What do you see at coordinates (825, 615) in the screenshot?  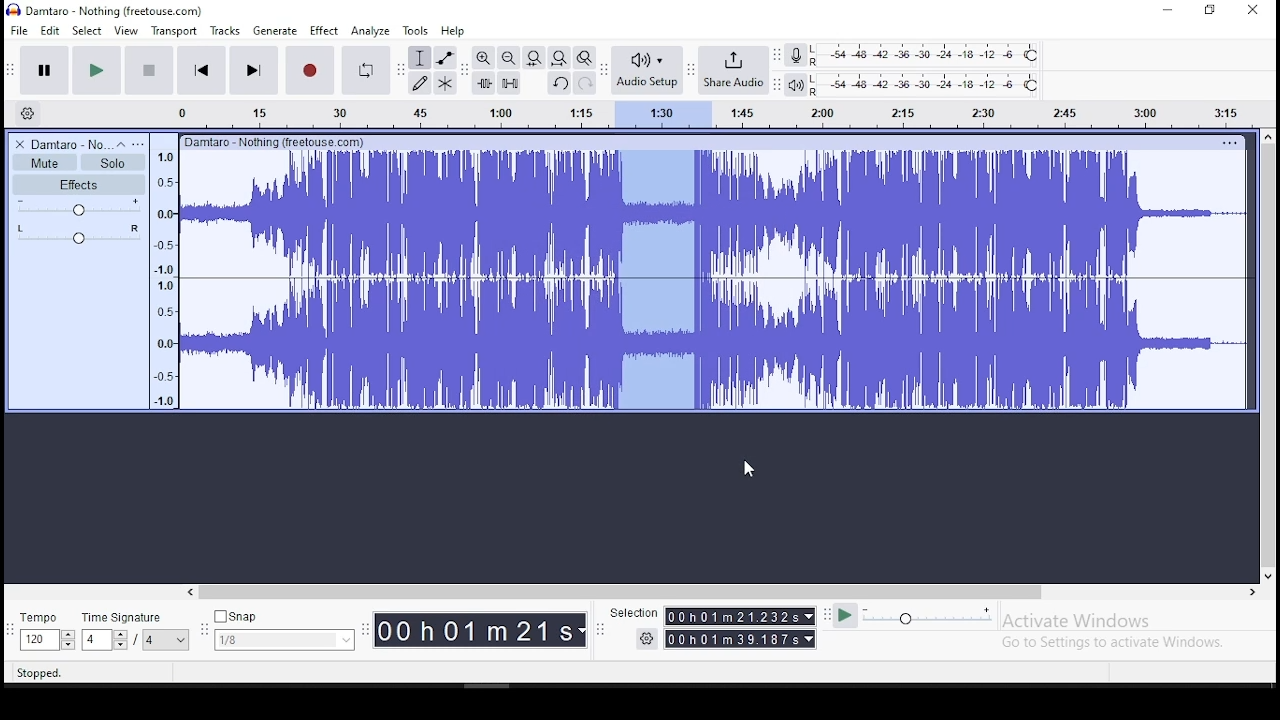 I see `` at bounding box center [825, 615].